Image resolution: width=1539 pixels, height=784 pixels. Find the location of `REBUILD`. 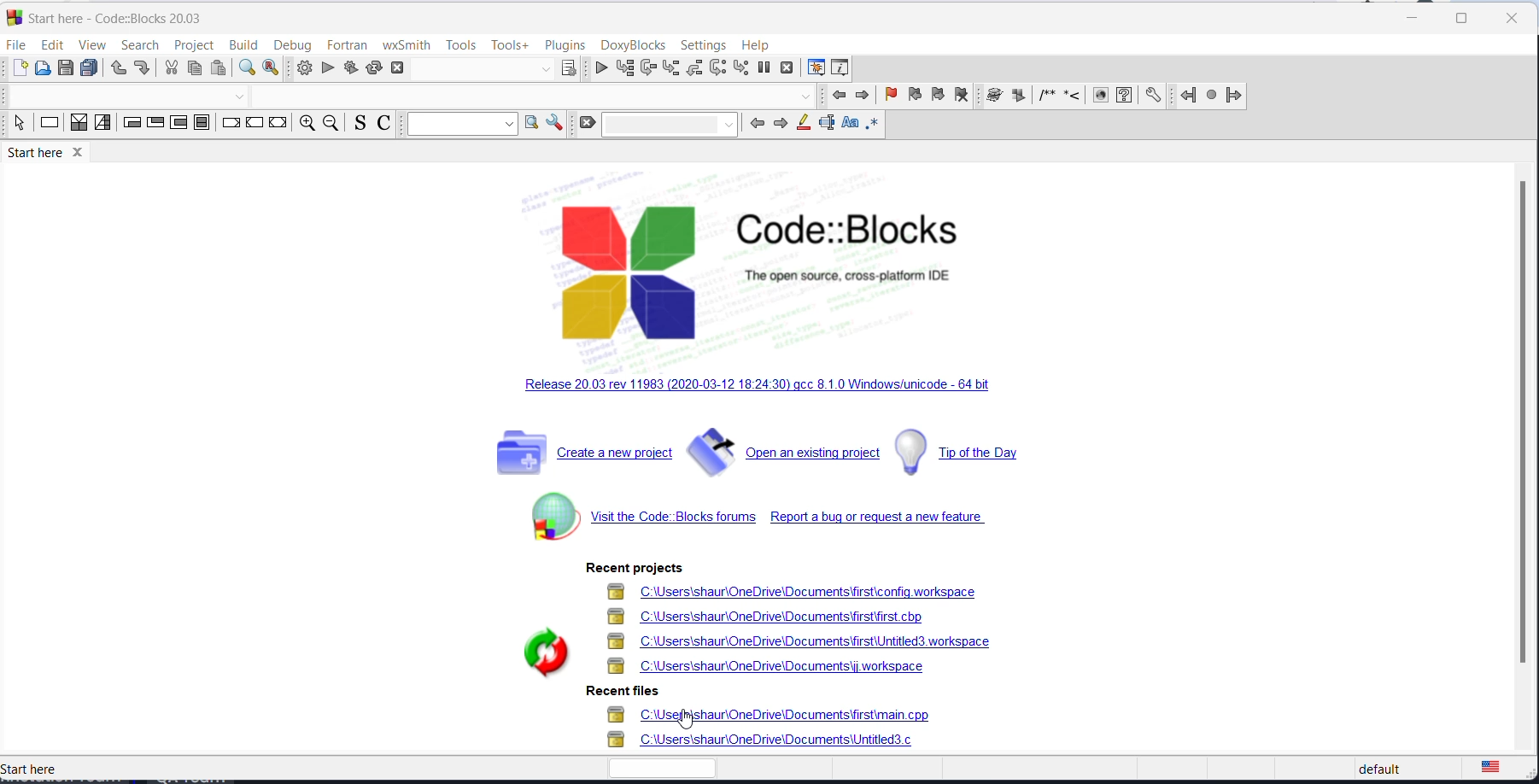

REBUILD is located at coordinates (374, 68).